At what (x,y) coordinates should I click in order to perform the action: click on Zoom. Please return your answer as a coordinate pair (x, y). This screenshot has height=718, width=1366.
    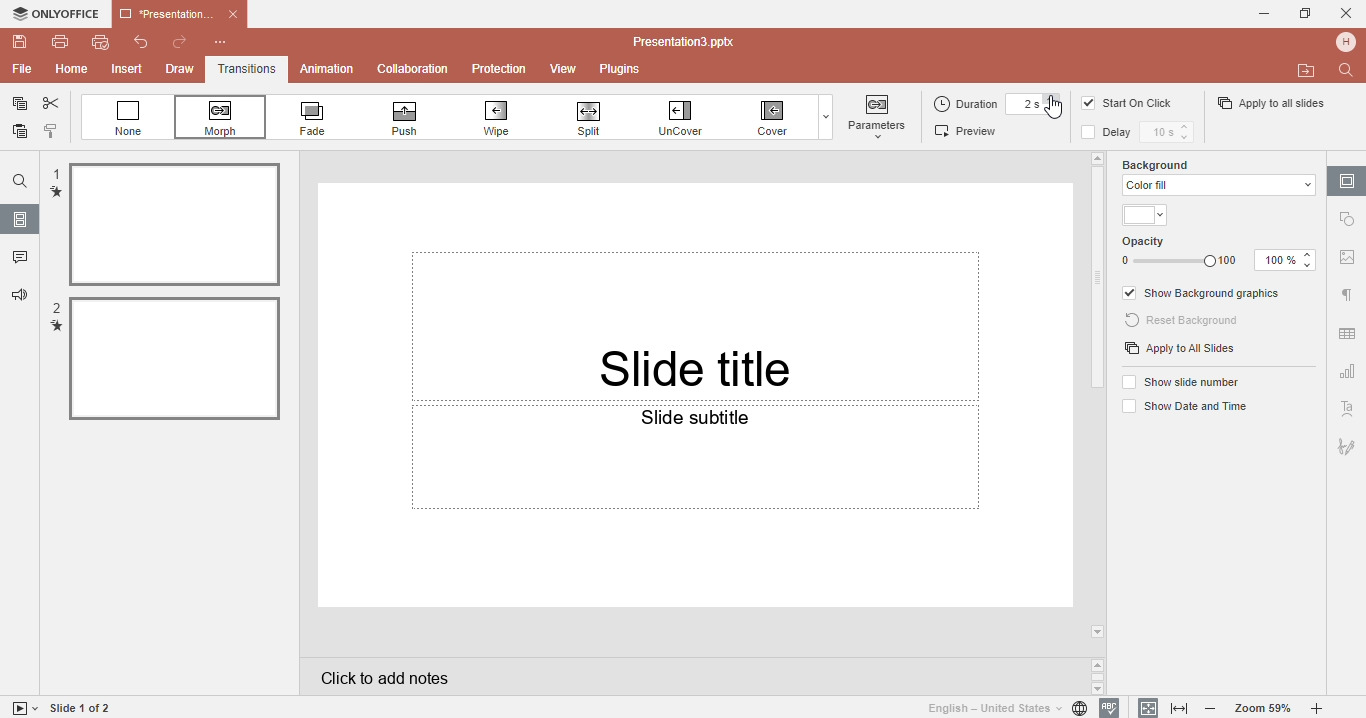
    Looking at the image, I should click on (1264, 708).